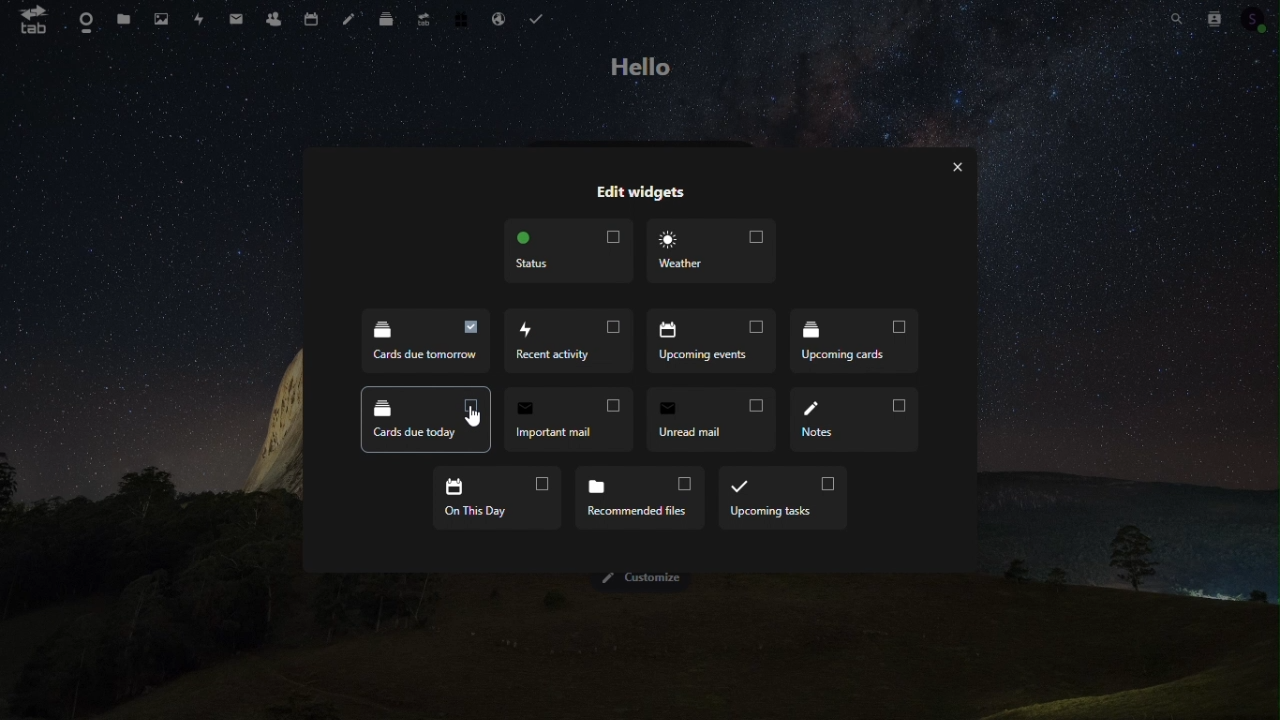 This screenshot has width=1280, height=720. Describe the element at coordinates (499, 18) in the screenshot. I see `Email hosting` at that location.